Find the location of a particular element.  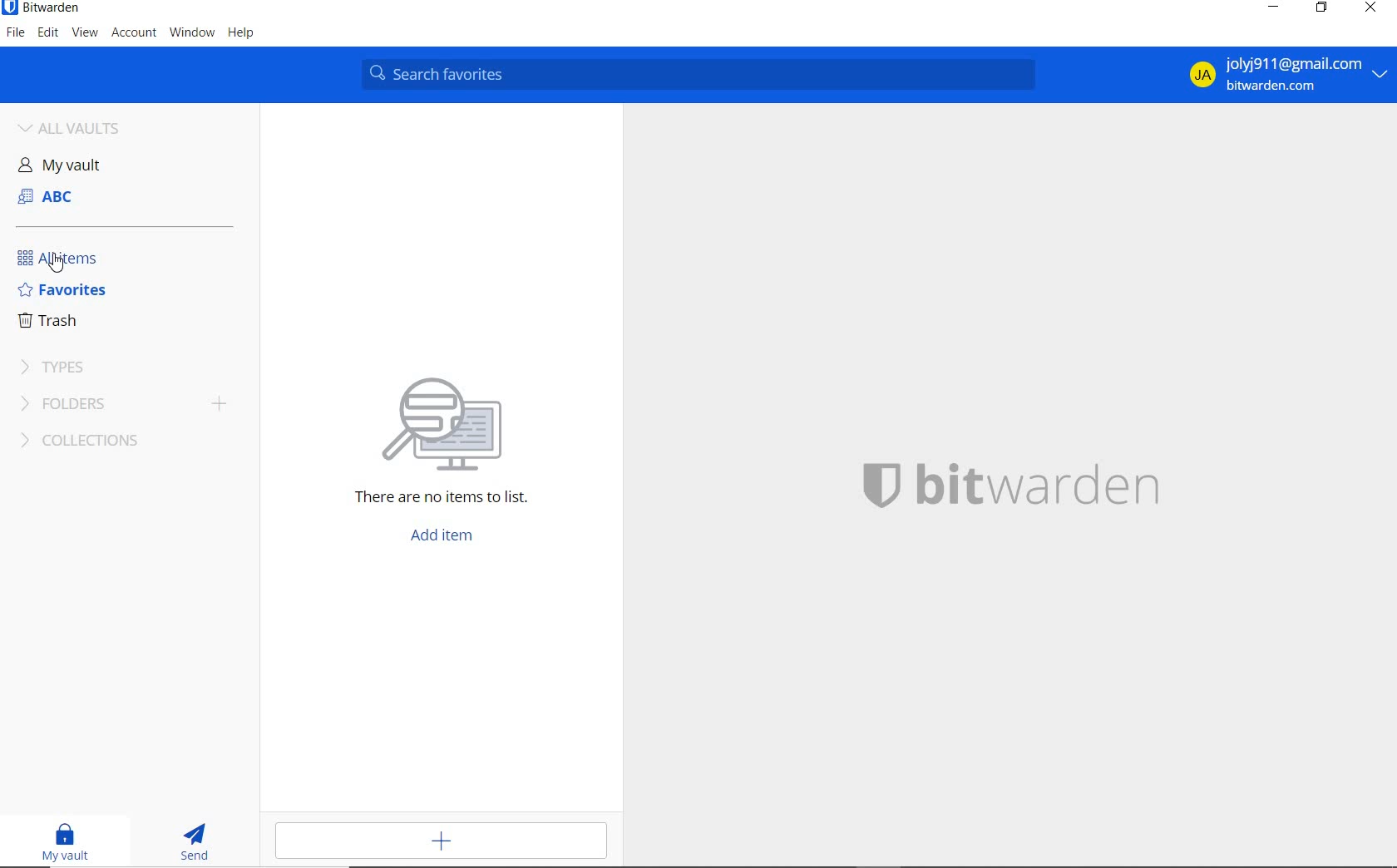

SYSTEM LOGO is located at coordinates (1042, 482).